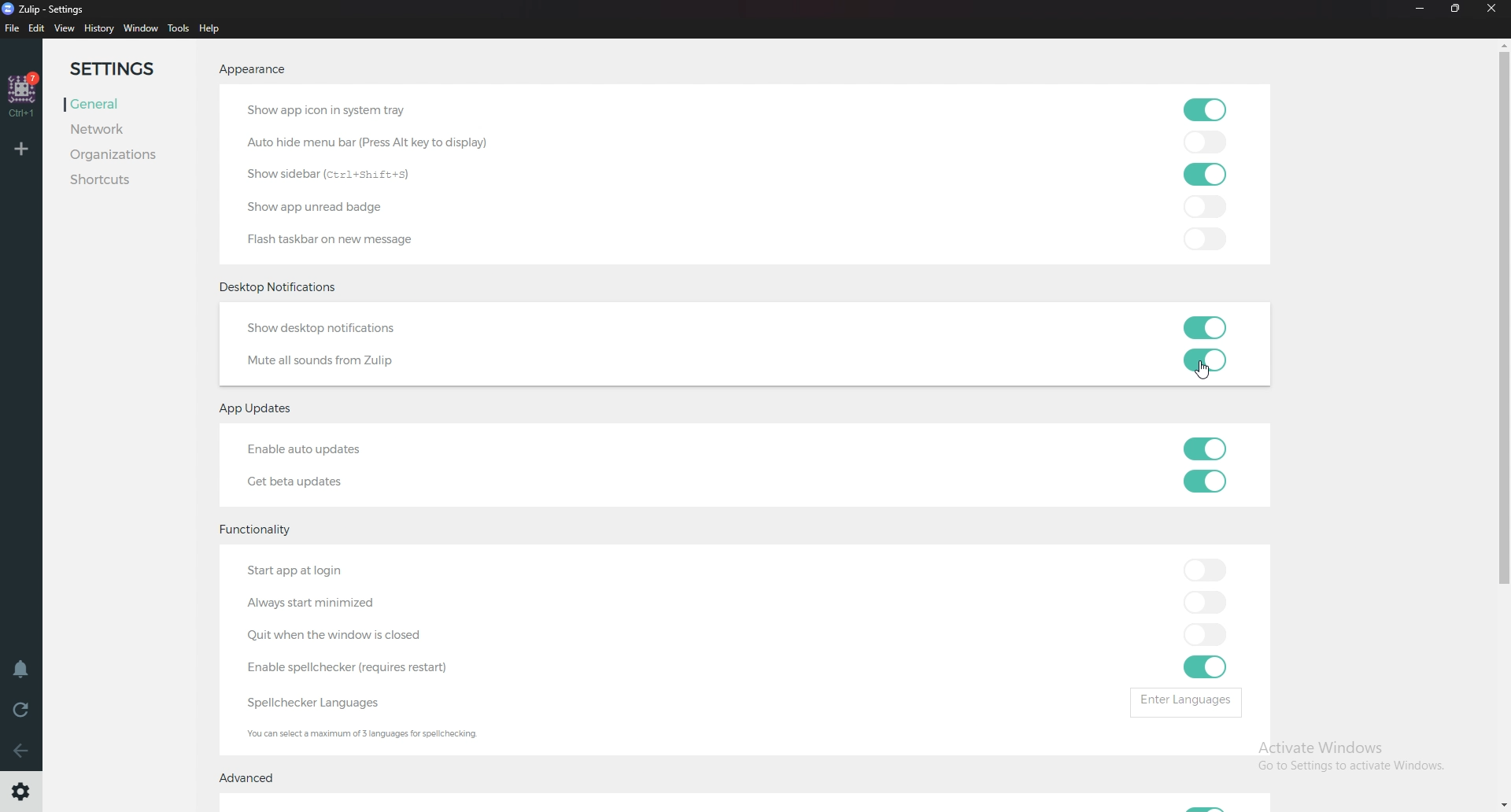 The image size is (1511, 812). I want to click on toggle, so click(1206, 109).